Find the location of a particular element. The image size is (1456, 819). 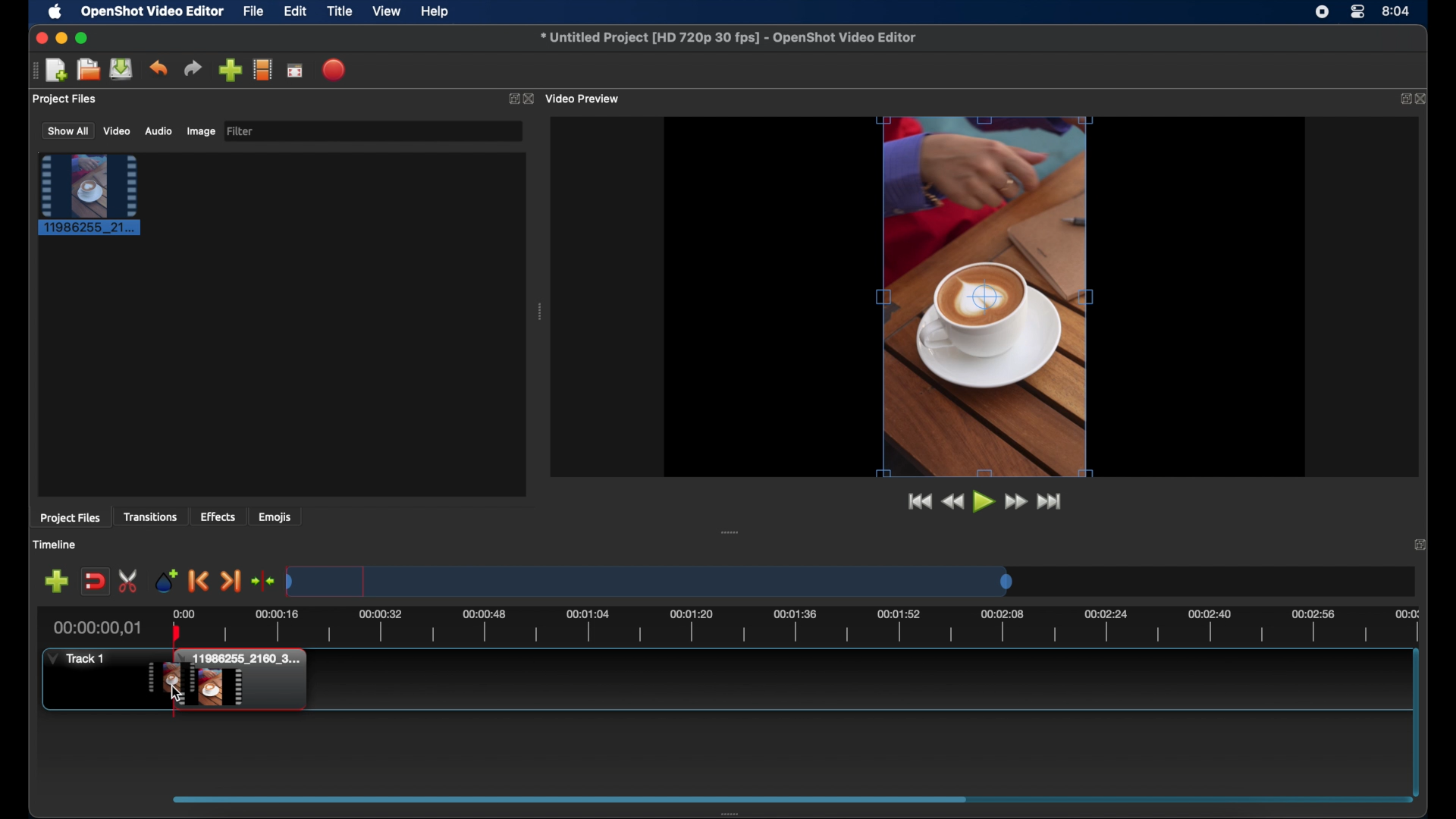

timeline scale is located at coordinates (649, 583).